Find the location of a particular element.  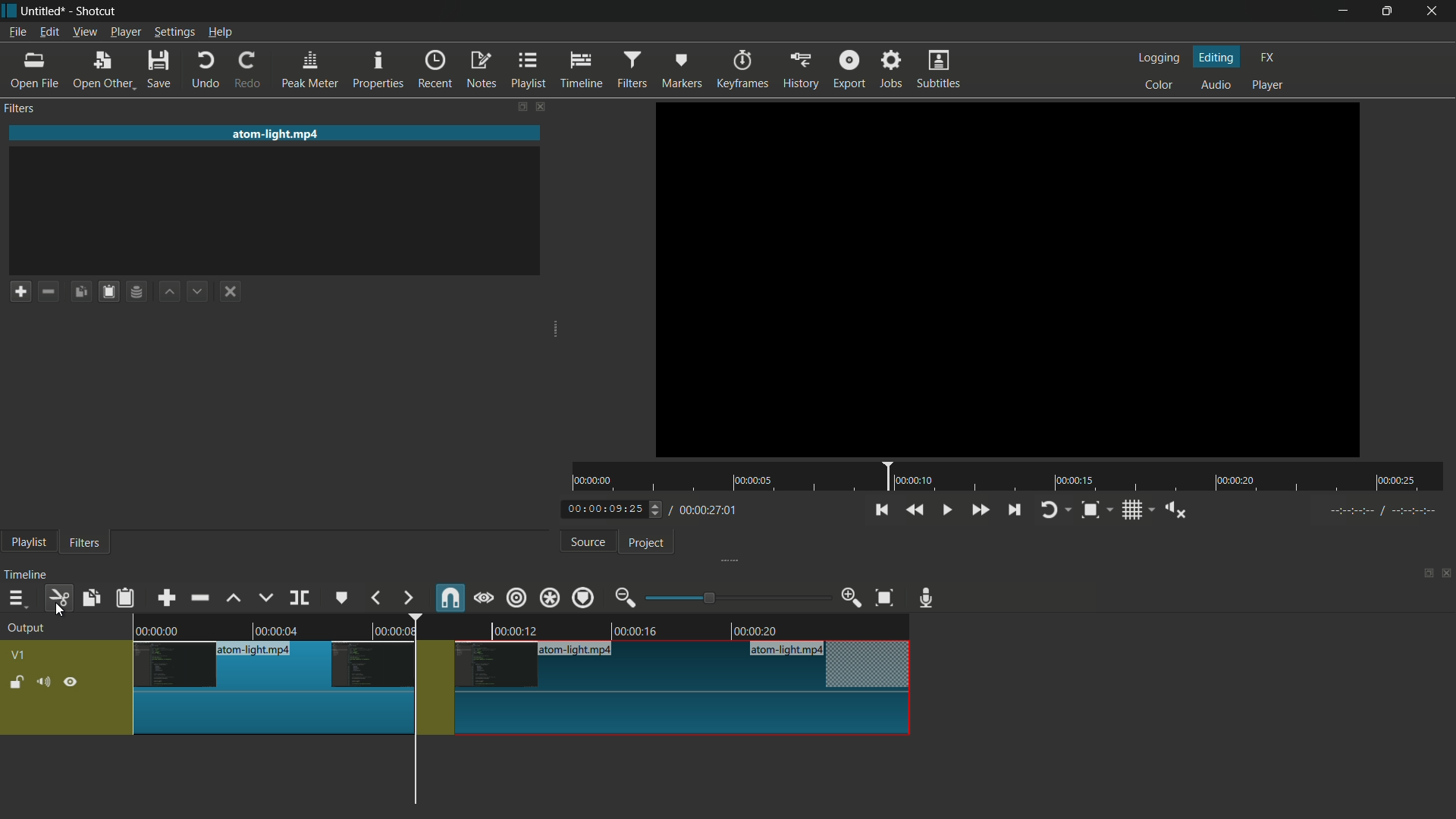

toggle play or pause is located at coordinates (945, 508).